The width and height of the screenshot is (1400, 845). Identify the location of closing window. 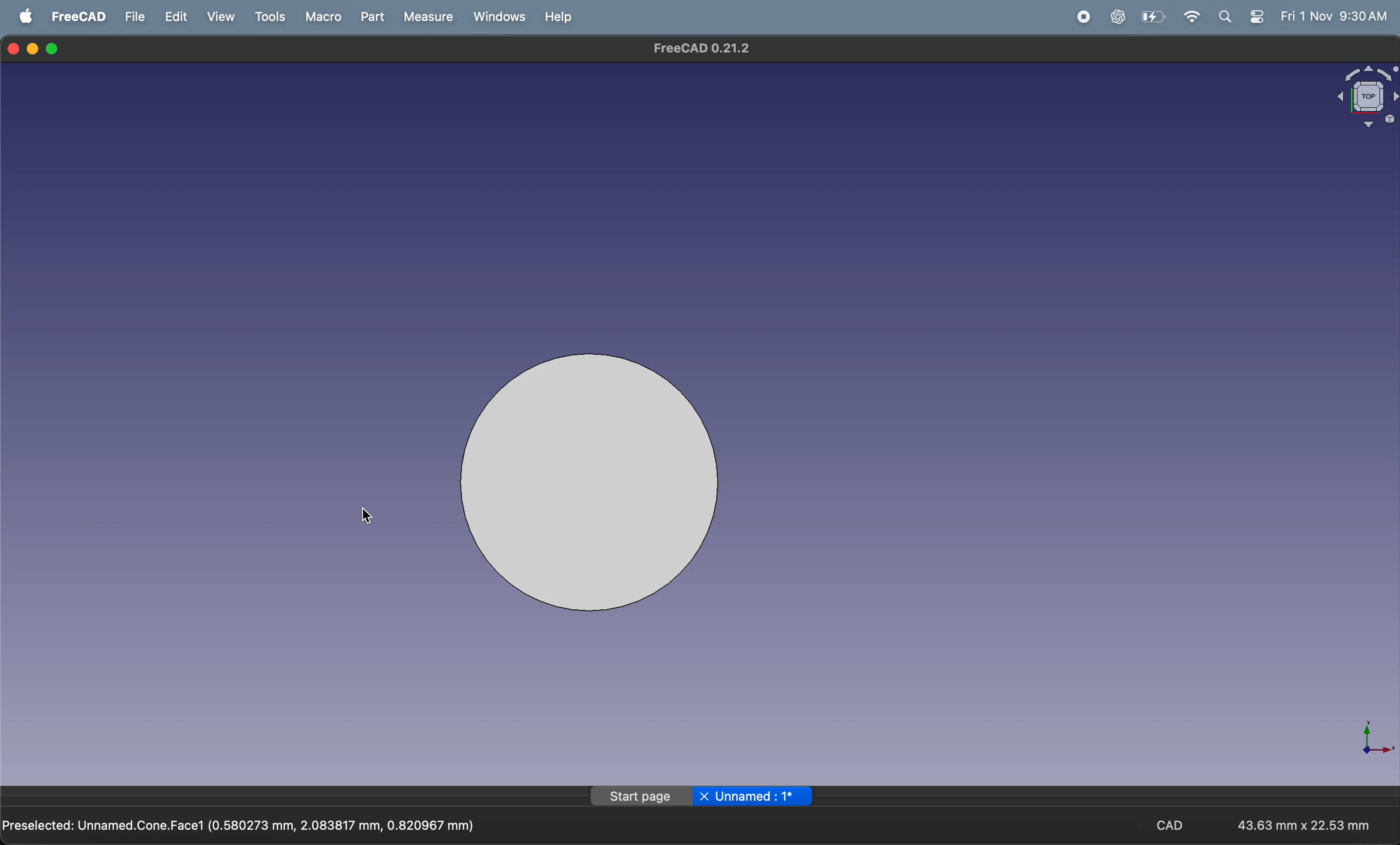
(14, 48).